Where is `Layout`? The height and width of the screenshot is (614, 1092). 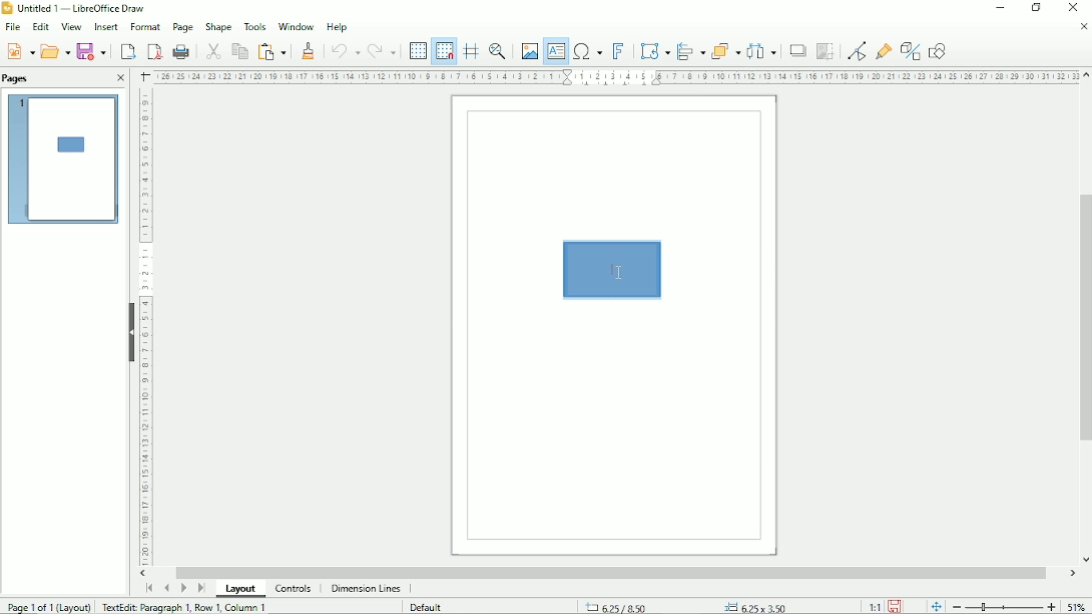
Layout is located at coordinates (241, 589).